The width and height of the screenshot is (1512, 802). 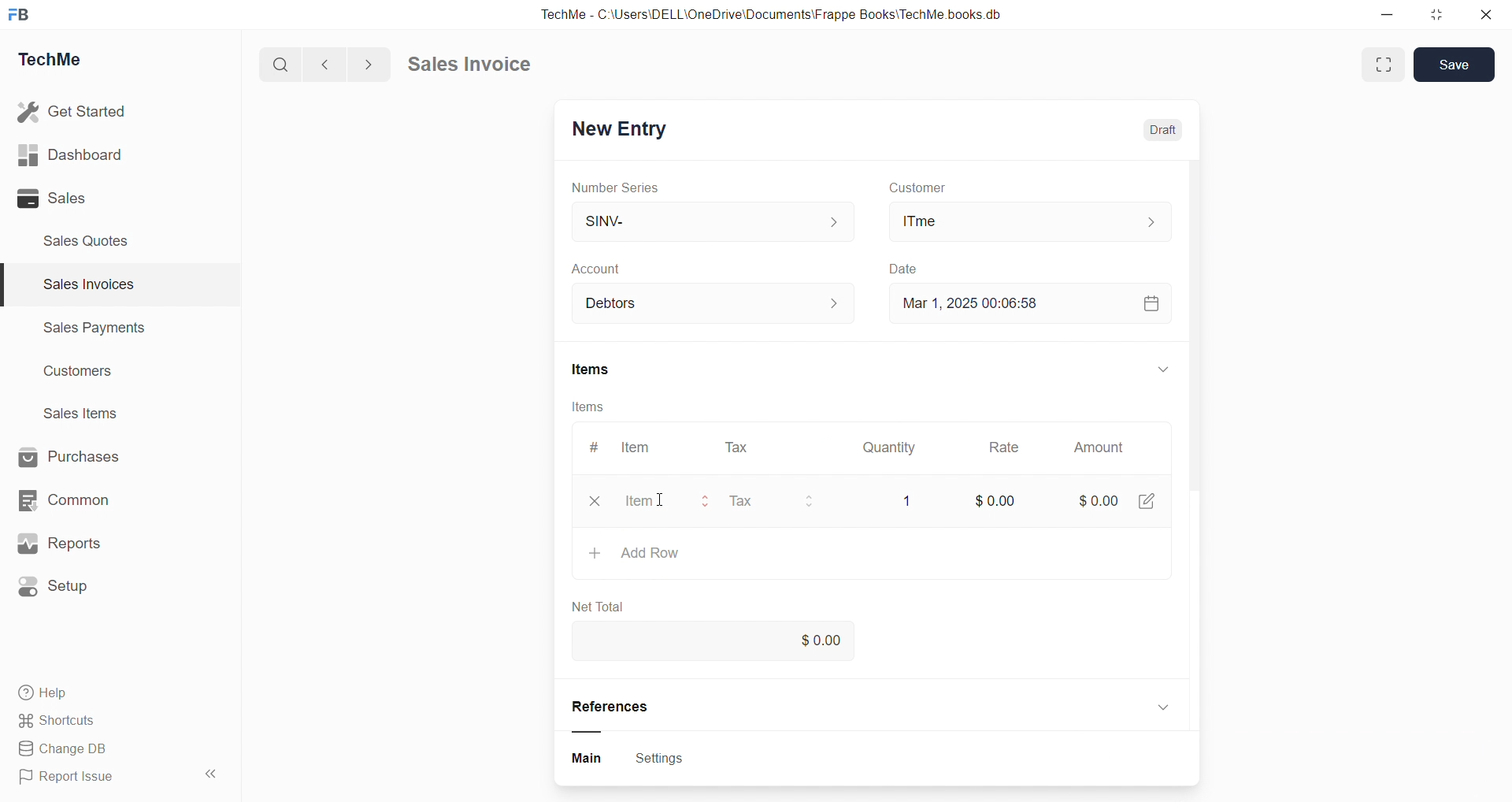 I want to click on Increase decrease button, so click(x=844, y=304).